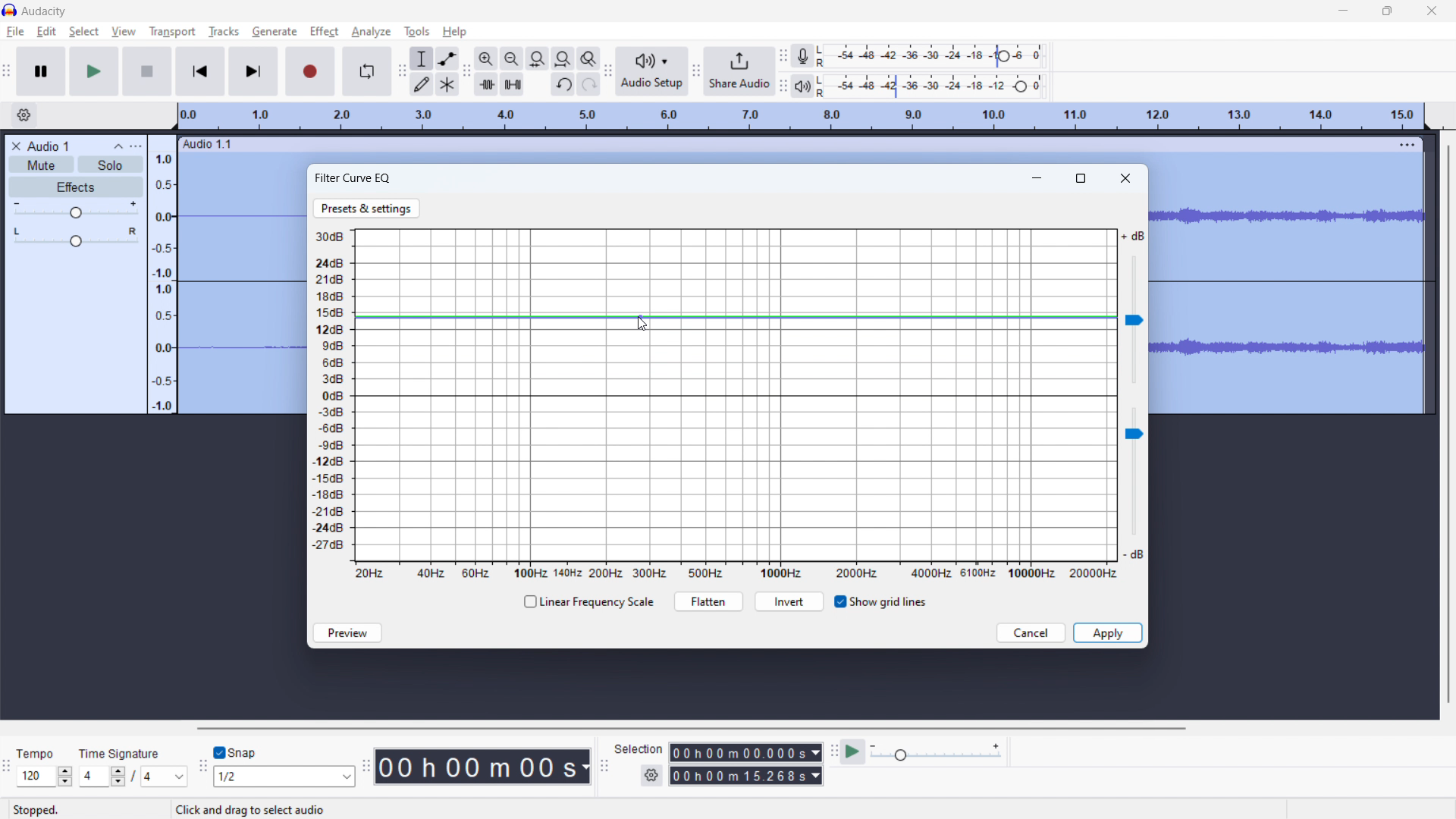  I want to click on Audacity, so click(45, 11).